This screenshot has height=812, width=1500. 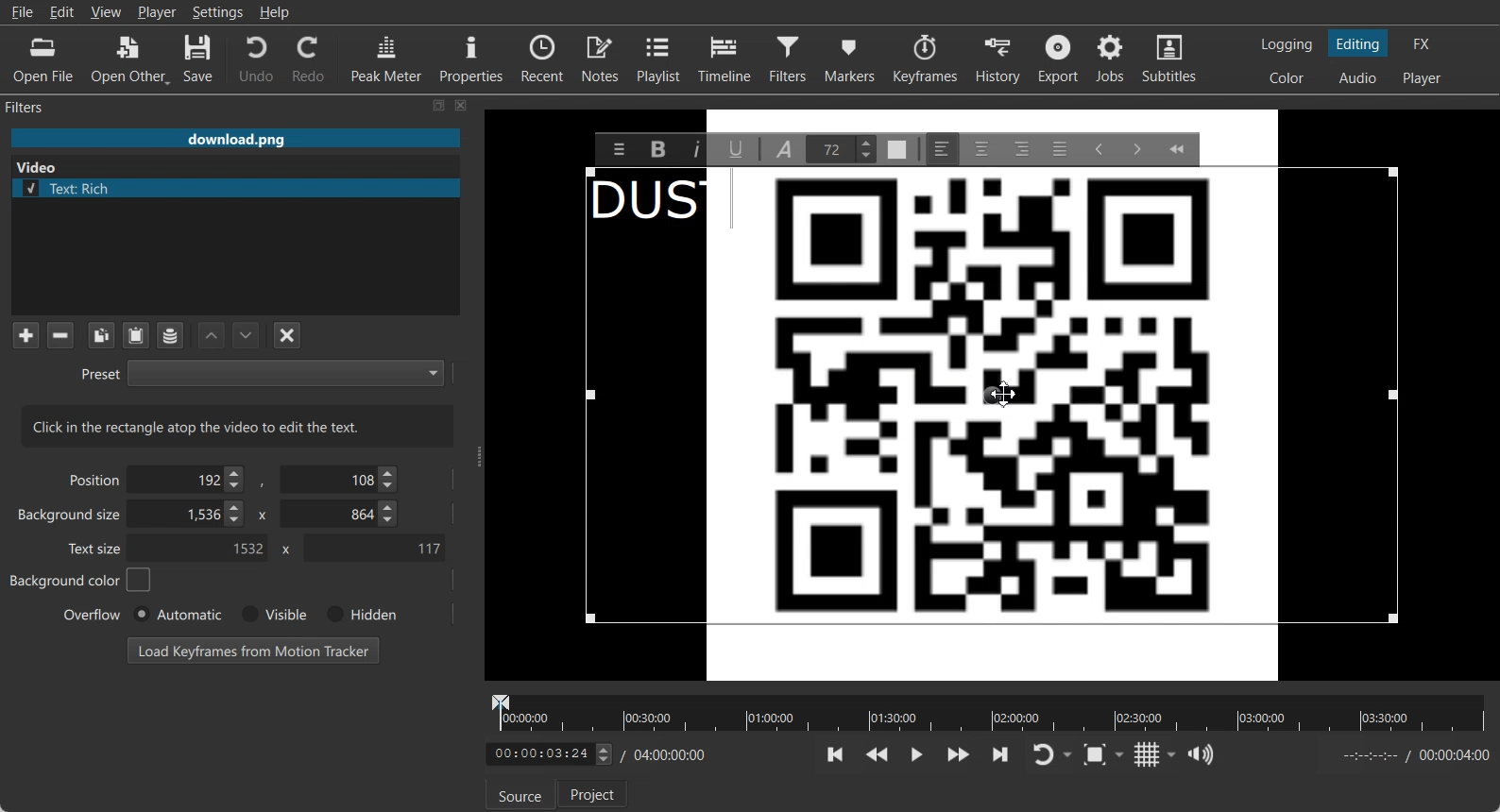 What do you see at coordinates (737, 148) in the screenshot?
I see `Underline` at bounding box center [737, 148].